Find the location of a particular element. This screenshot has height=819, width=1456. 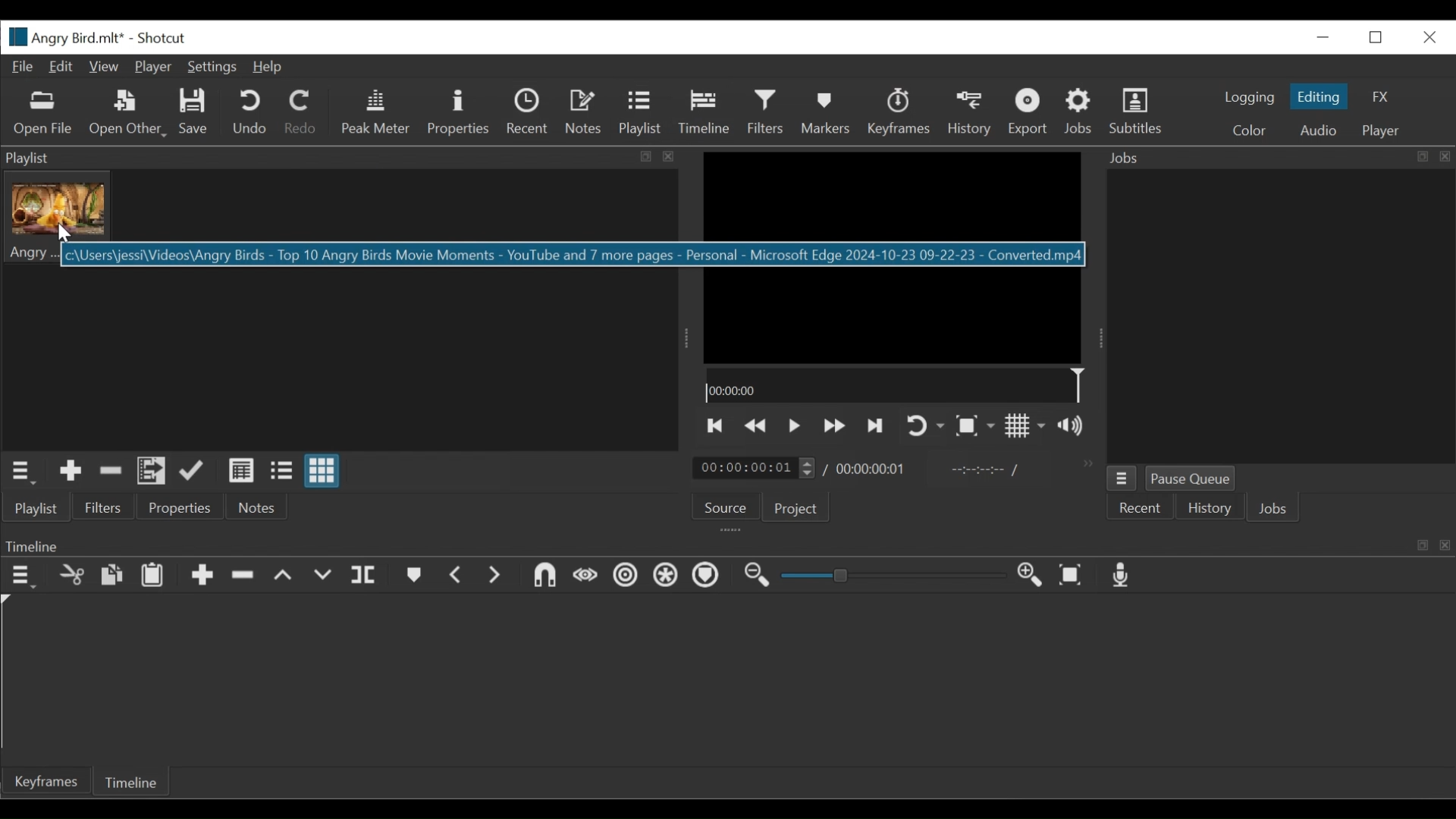

Cut is located at coordinates (71, 574).